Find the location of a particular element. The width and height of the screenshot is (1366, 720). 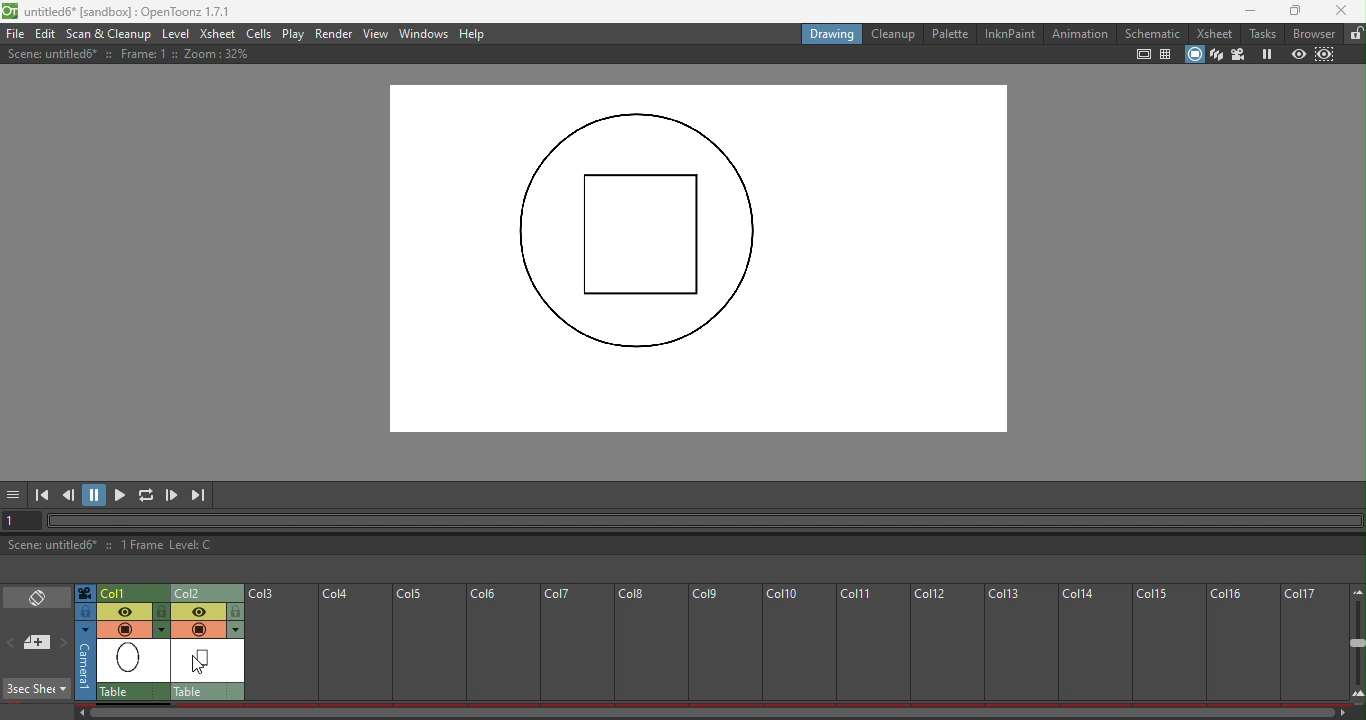

New memo is located at coordinates (37, 643).